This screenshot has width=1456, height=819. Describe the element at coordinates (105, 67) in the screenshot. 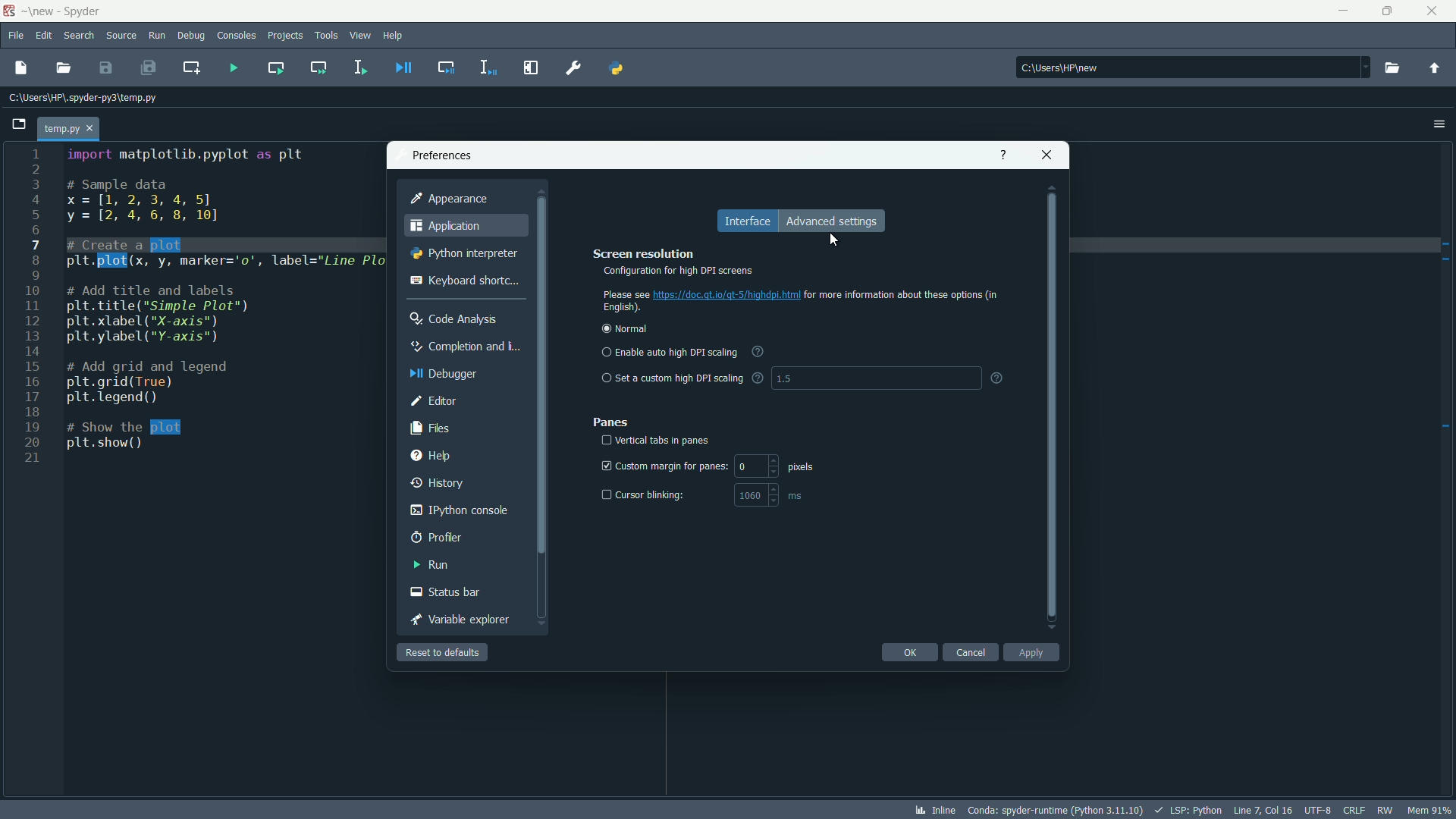

I see `save file` at that location.